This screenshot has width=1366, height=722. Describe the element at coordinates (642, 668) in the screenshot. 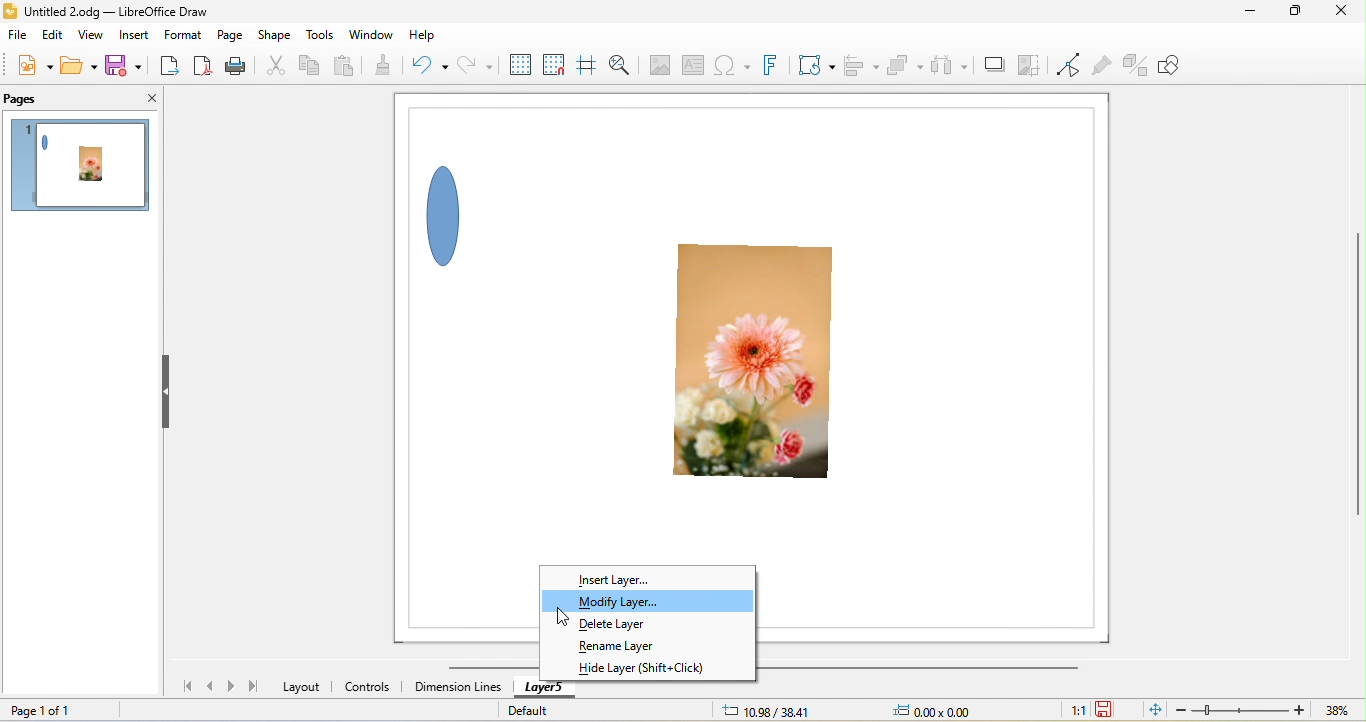

I see `hide layer` at that location.